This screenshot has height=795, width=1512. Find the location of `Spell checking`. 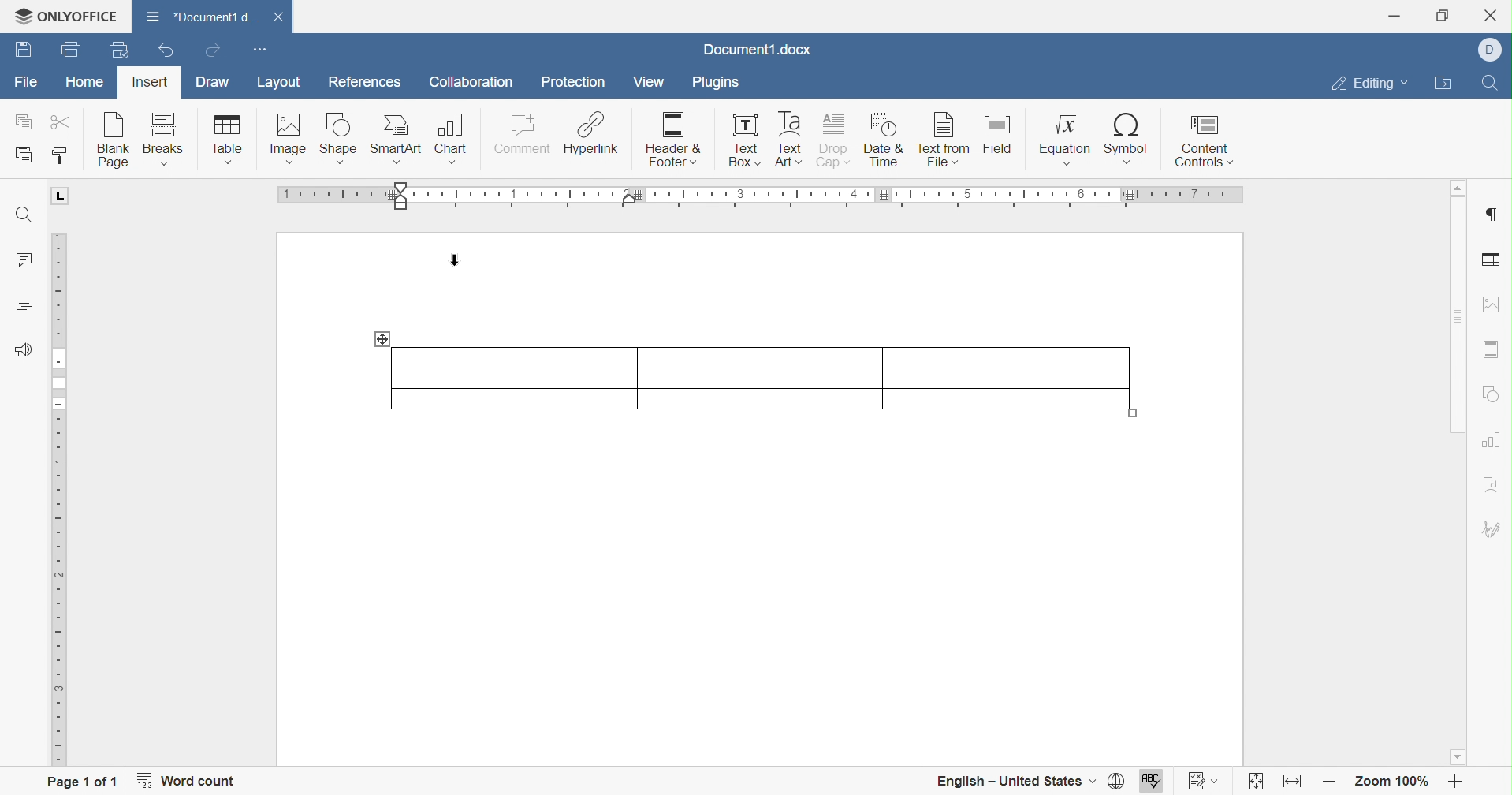

Spell checking is located at coordinates (1153, 779).